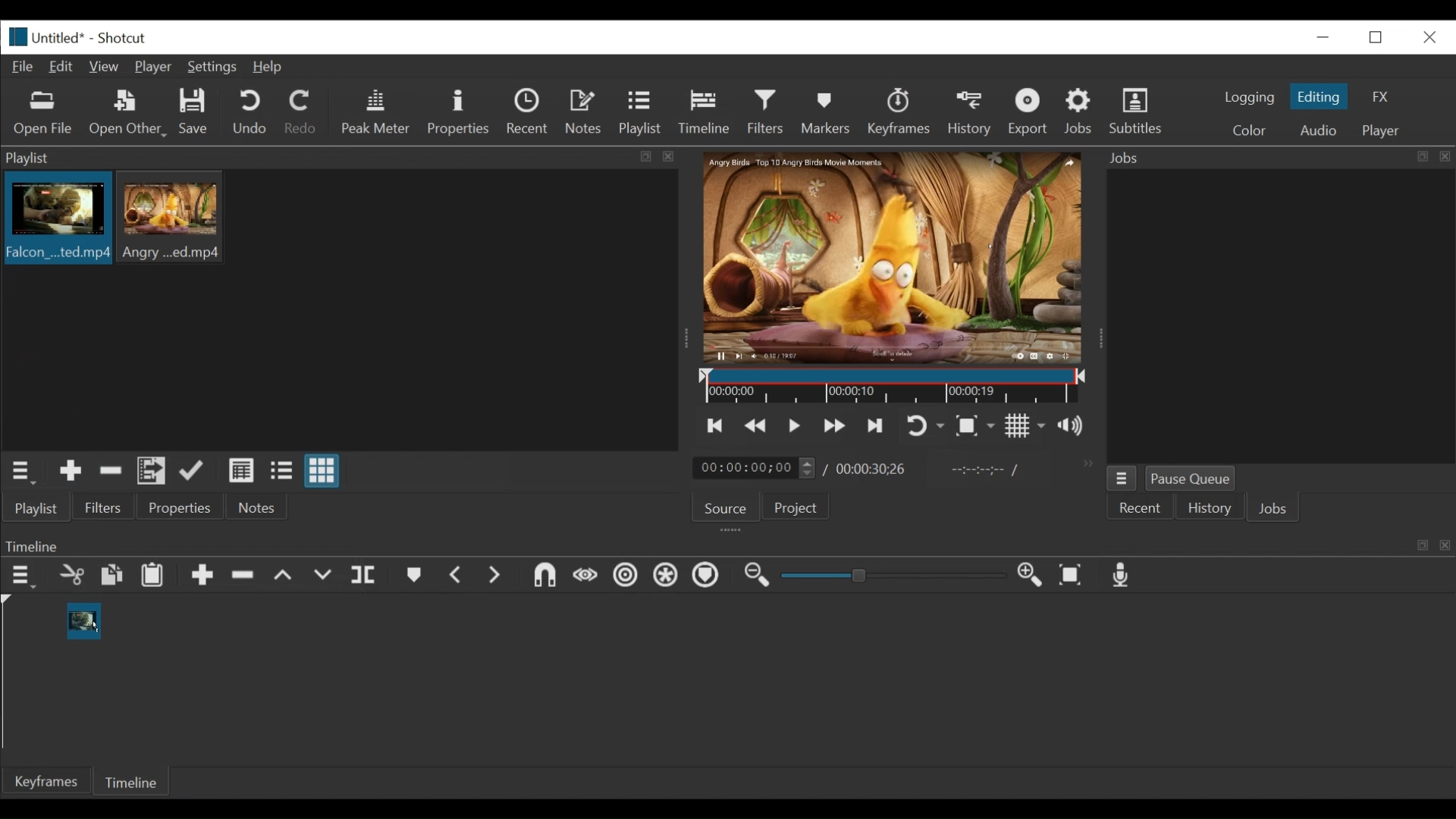  What do you see at coordinates (665, 577) in the screenshot?
I see `Ripple all tracks` at bounding box center [665, 577].